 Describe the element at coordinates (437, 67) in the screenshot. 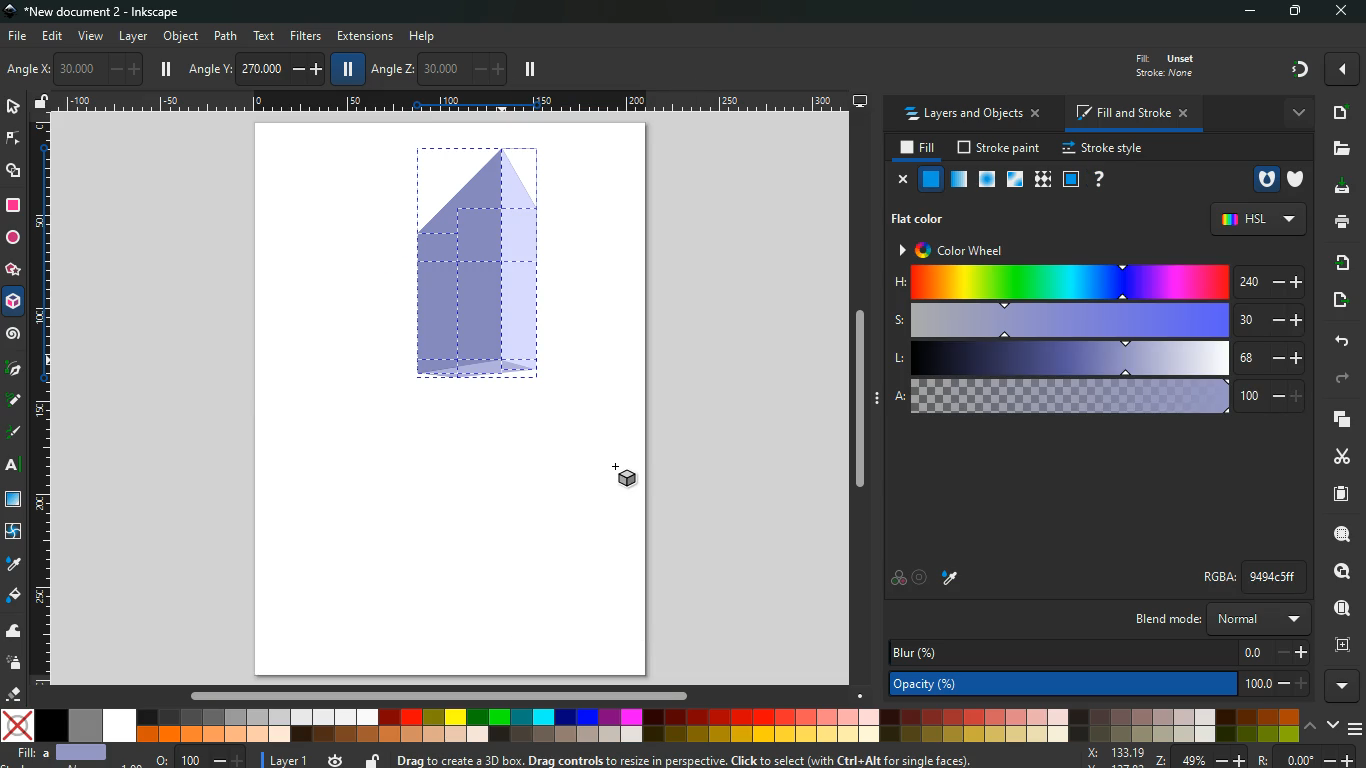

I see `angle z` at that location.